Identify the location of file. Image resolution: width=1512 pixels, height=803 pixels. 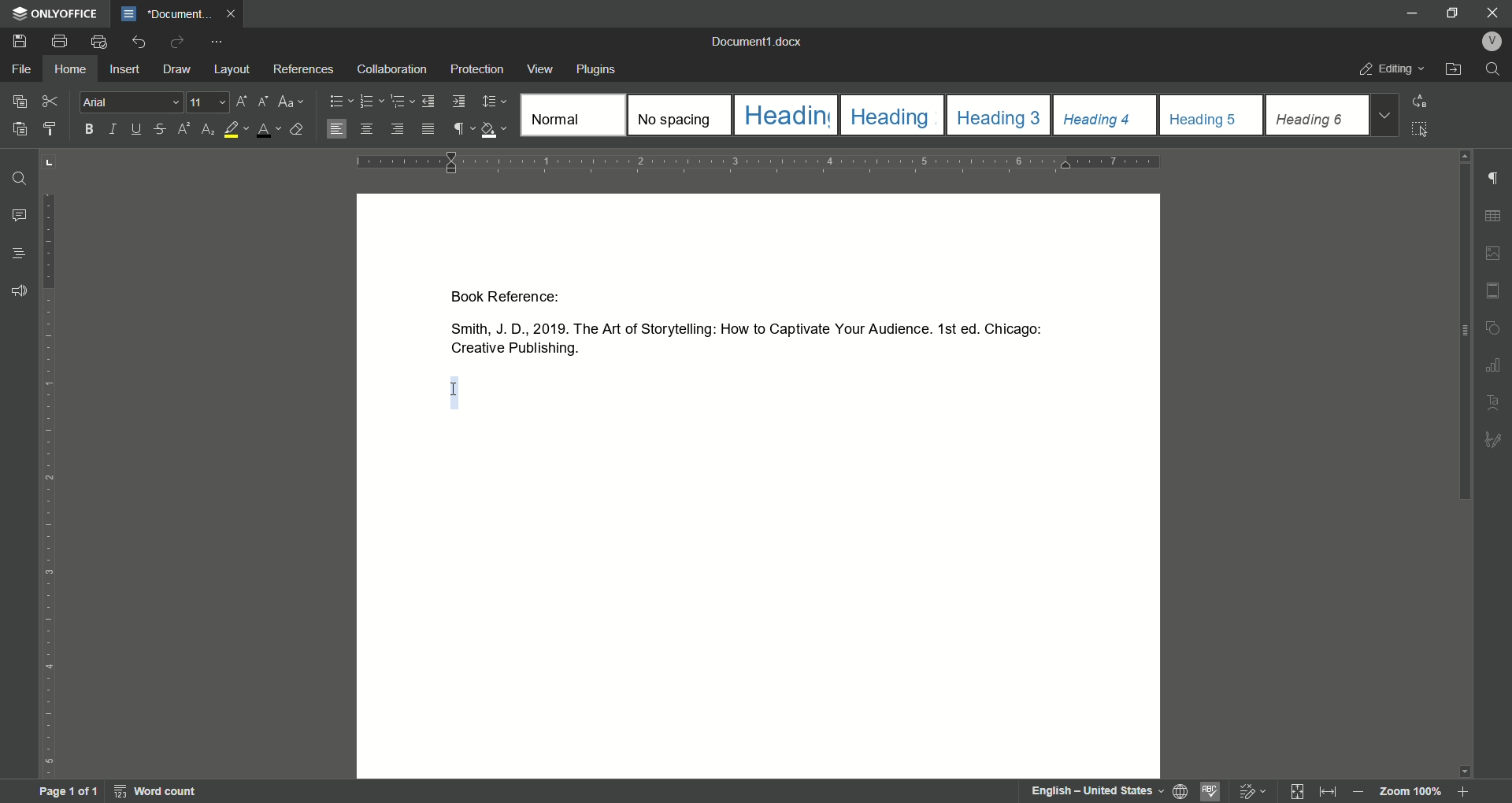
(21, 68).